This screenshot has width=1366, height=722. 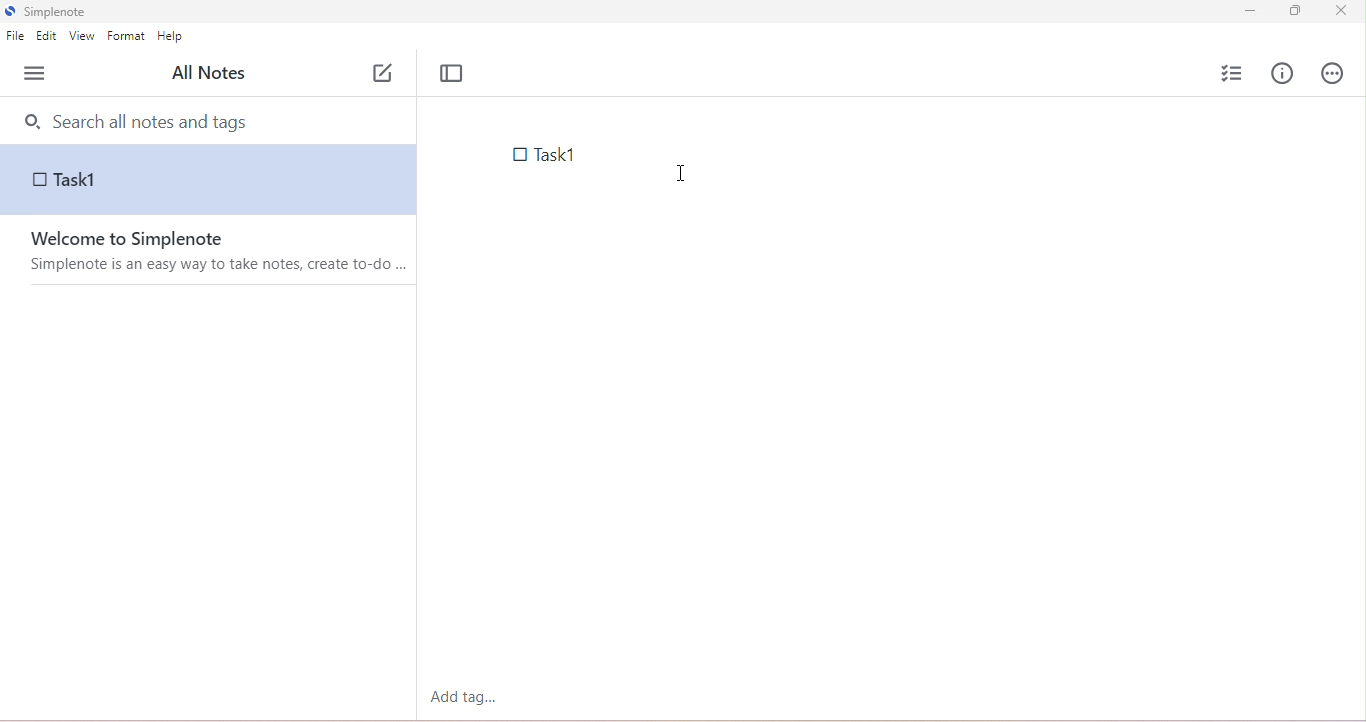 I want to click on note text with checklist, so click(x=550, y=154).